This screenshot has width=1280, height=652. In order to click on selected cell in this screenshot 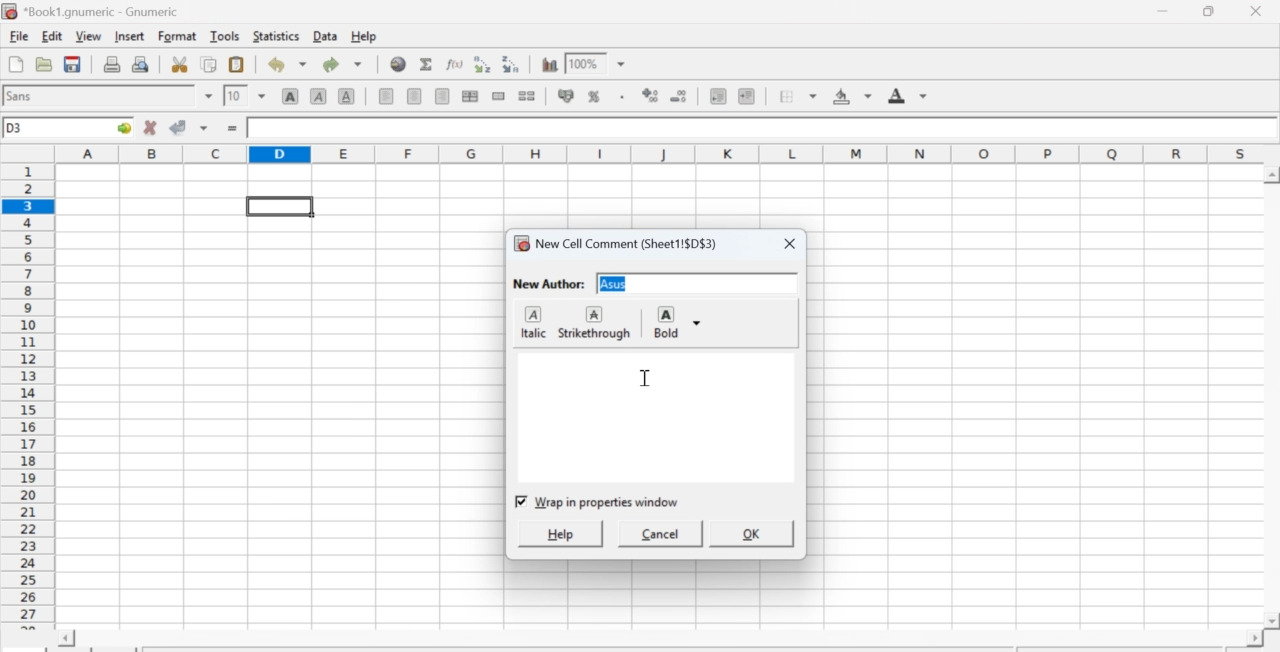, I will do `click(279, 205)`.